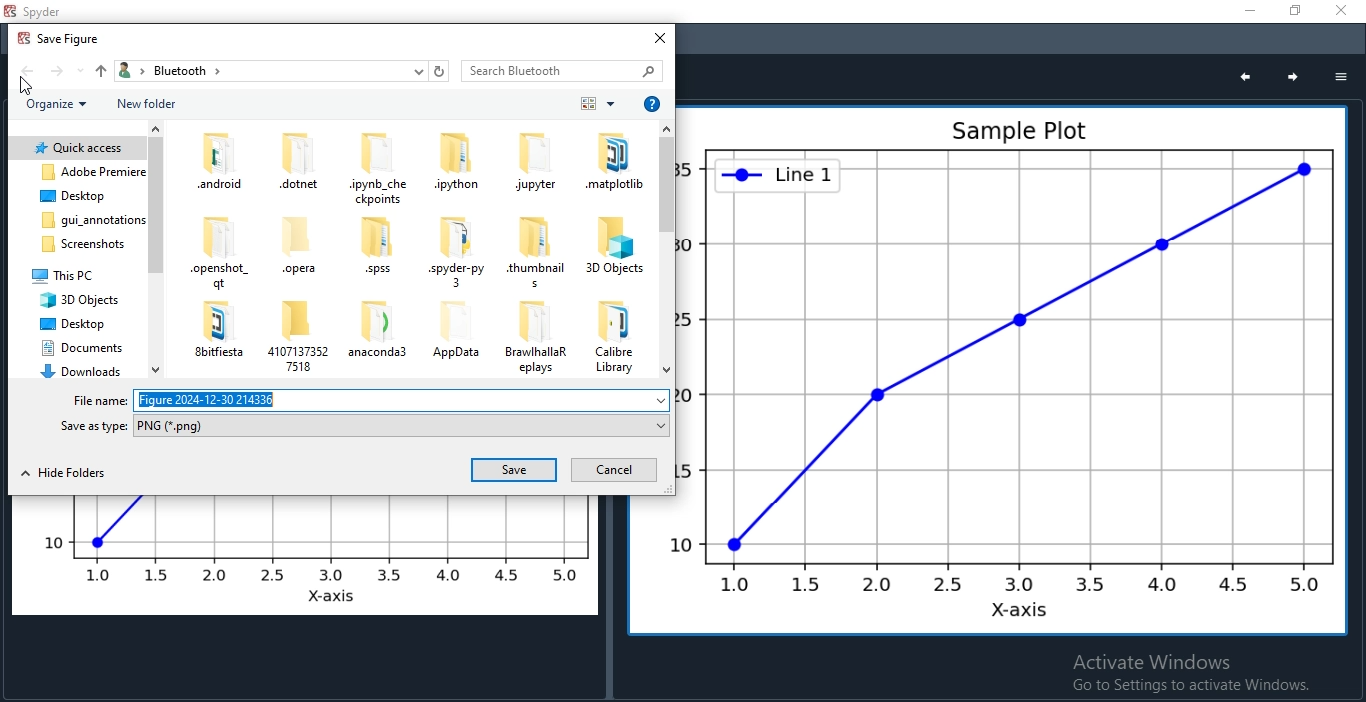 This screenshot has width=1366, height=702. What do you see at coordinates (156, 245) in the screenshot?
I see `scroll bar` at bounding box center [156, 245].